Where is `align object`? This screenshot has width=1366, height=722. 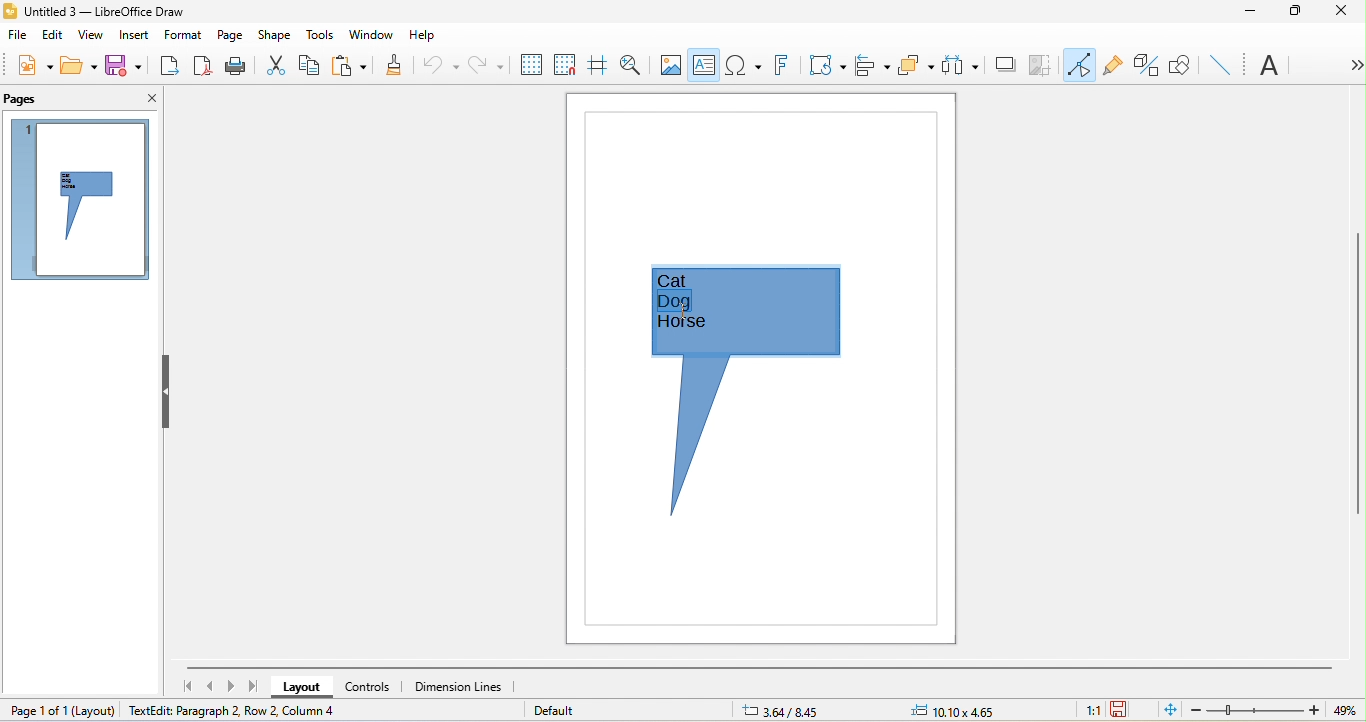
align object is located at coordinates (870, 63).